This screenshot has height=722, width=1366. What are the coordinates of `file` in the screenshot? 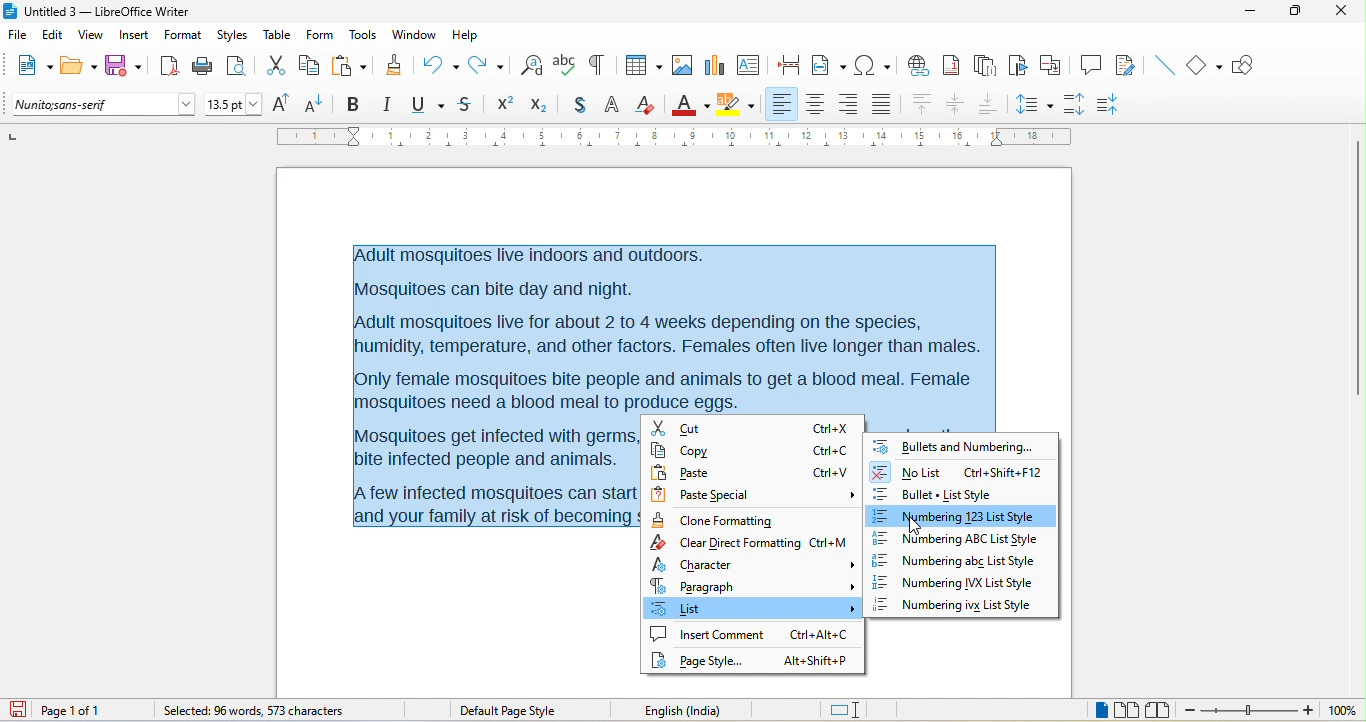 It's located at (15, 32).